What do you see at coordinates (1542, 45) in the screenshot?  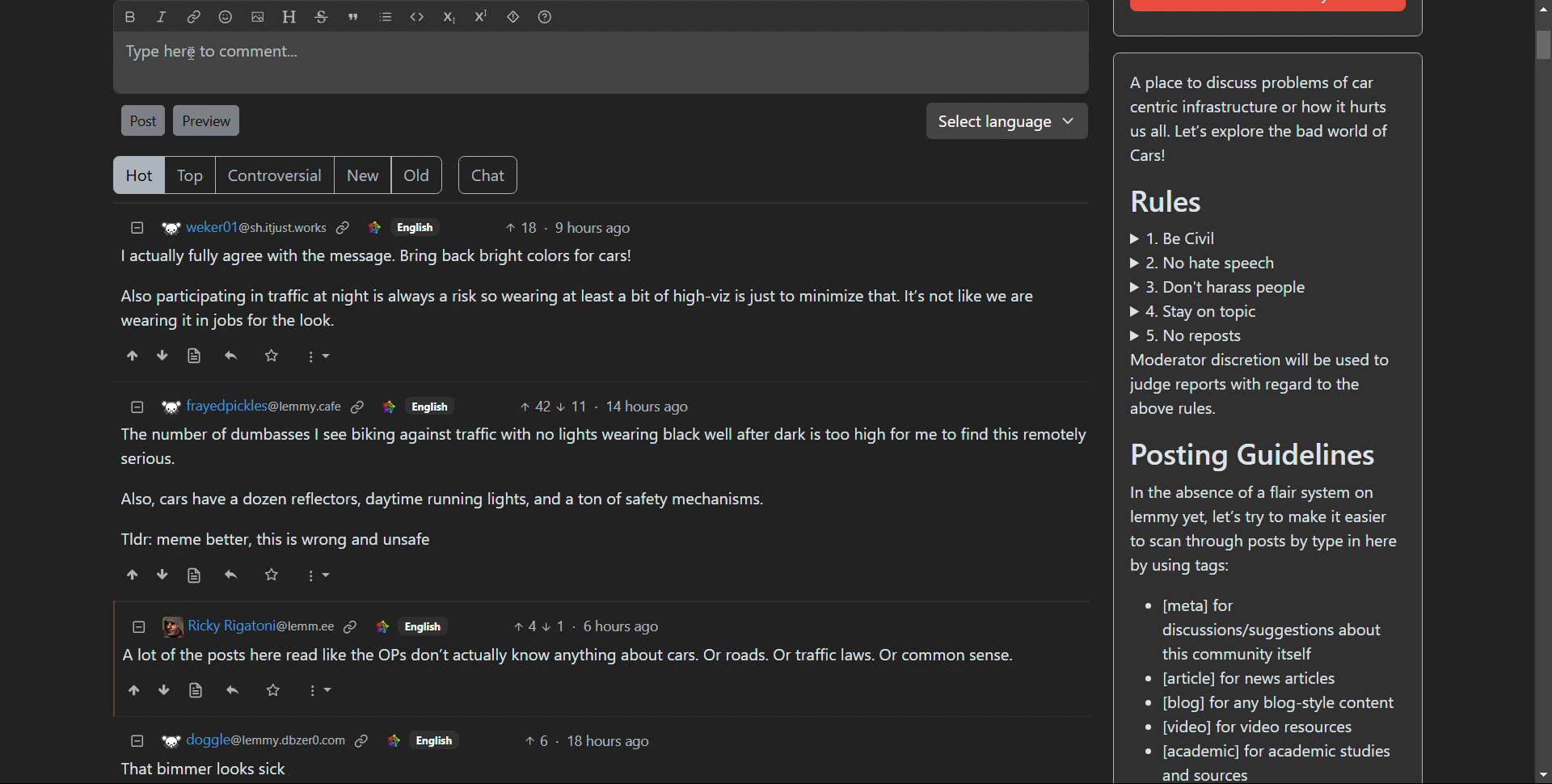 I see `Vertical scroll bar` at bounding box center [1542, 45].